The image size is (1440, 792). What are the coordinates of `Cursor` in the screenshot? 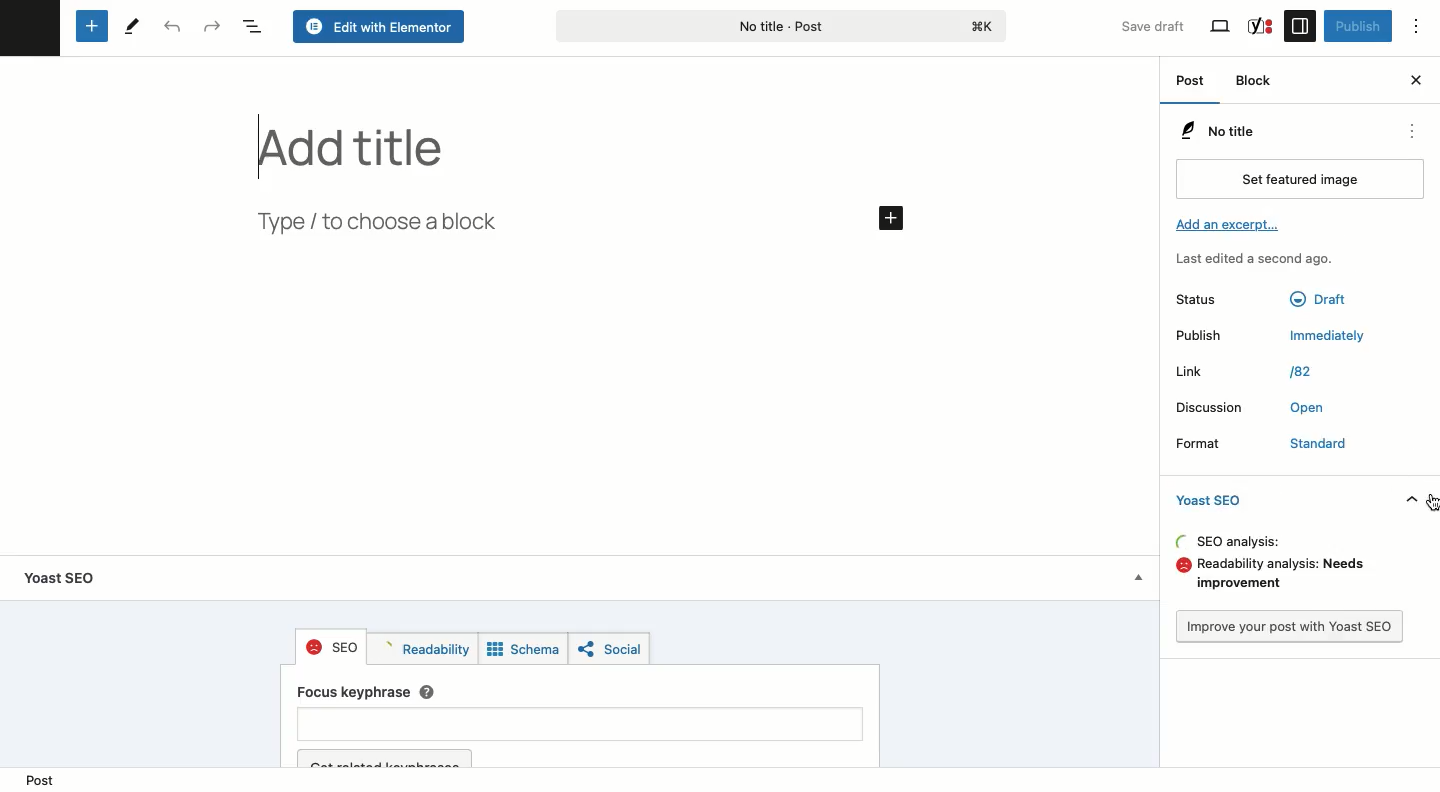 It's located at (1431, 501).